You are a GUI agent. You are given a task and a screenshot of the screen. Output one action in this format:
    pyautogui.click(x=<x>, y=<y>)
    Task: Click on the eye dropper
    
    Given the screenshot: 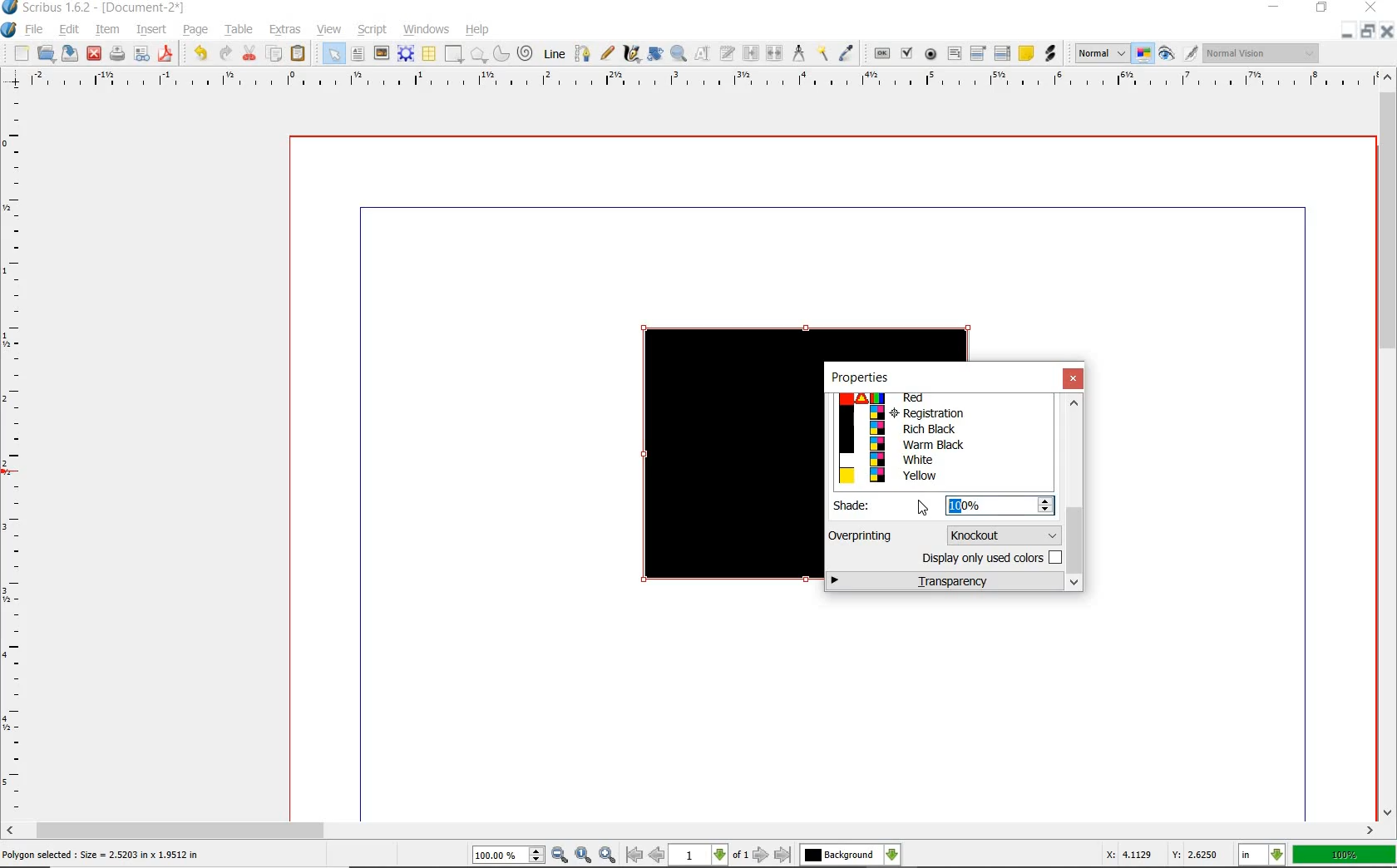 What is the action you would take?
    pyautogui.click(x=848, y=52)
    